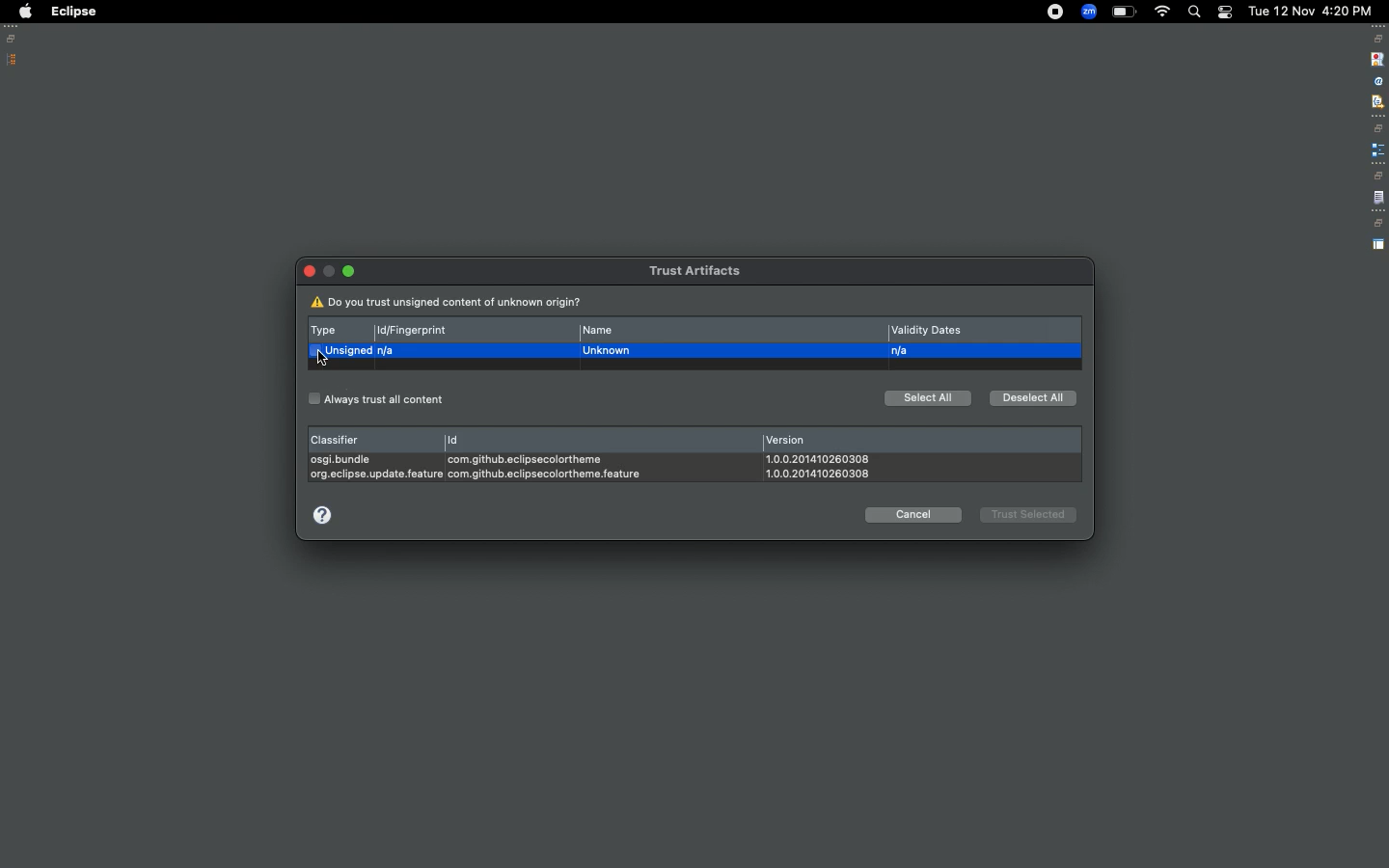 This screenshot has width=1389, height=868. What do you see at coordinates (1377, 224) in the screenshot?
I see `restore` at bounding box center [1377, 224].